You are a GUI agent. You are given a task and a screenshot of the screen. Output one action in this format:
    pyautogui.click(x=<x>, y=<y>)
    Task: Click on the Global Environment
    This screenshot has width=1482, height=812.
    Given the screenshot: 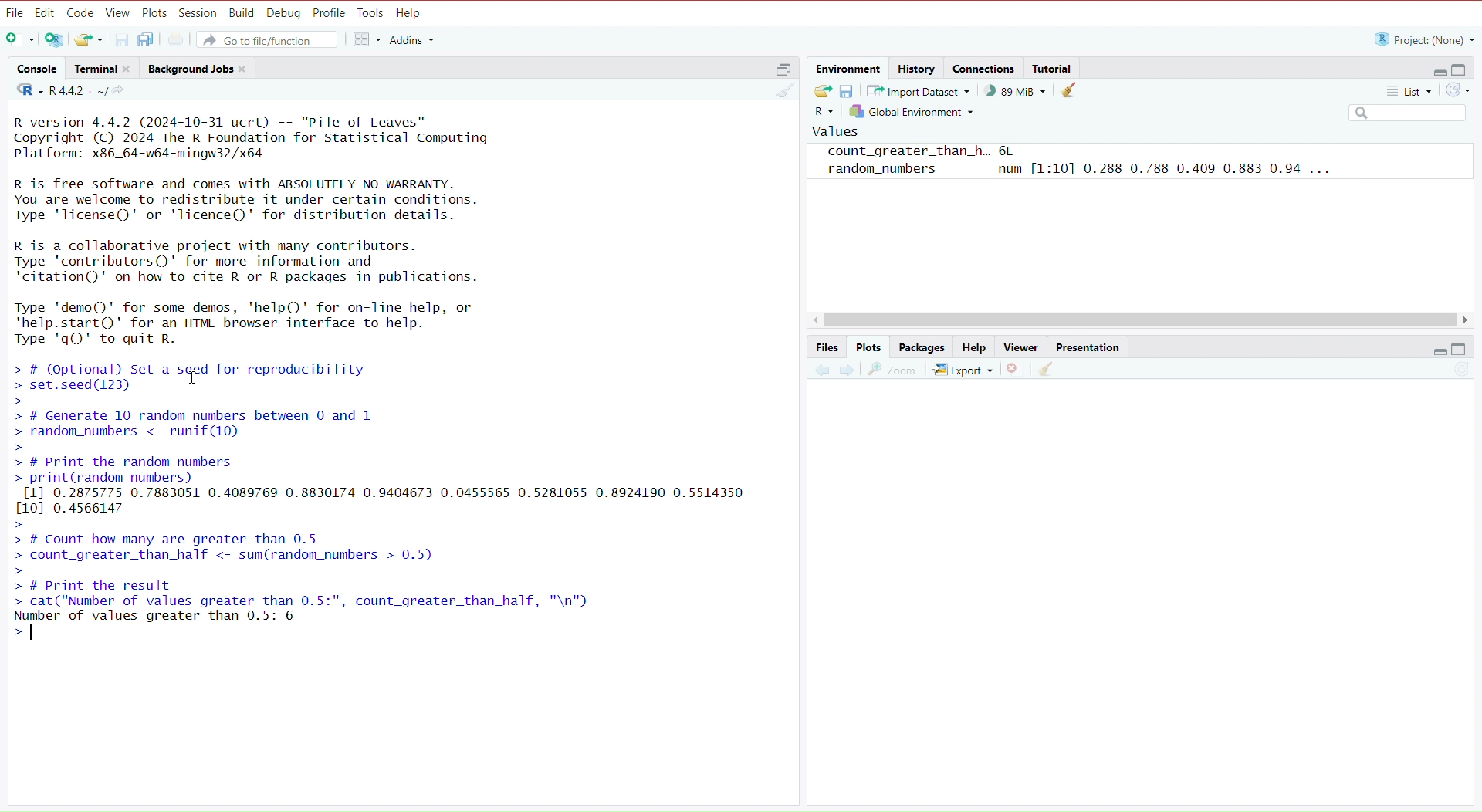 What is the action you would take?
    pyautogui.click(x=909, y=110)
    